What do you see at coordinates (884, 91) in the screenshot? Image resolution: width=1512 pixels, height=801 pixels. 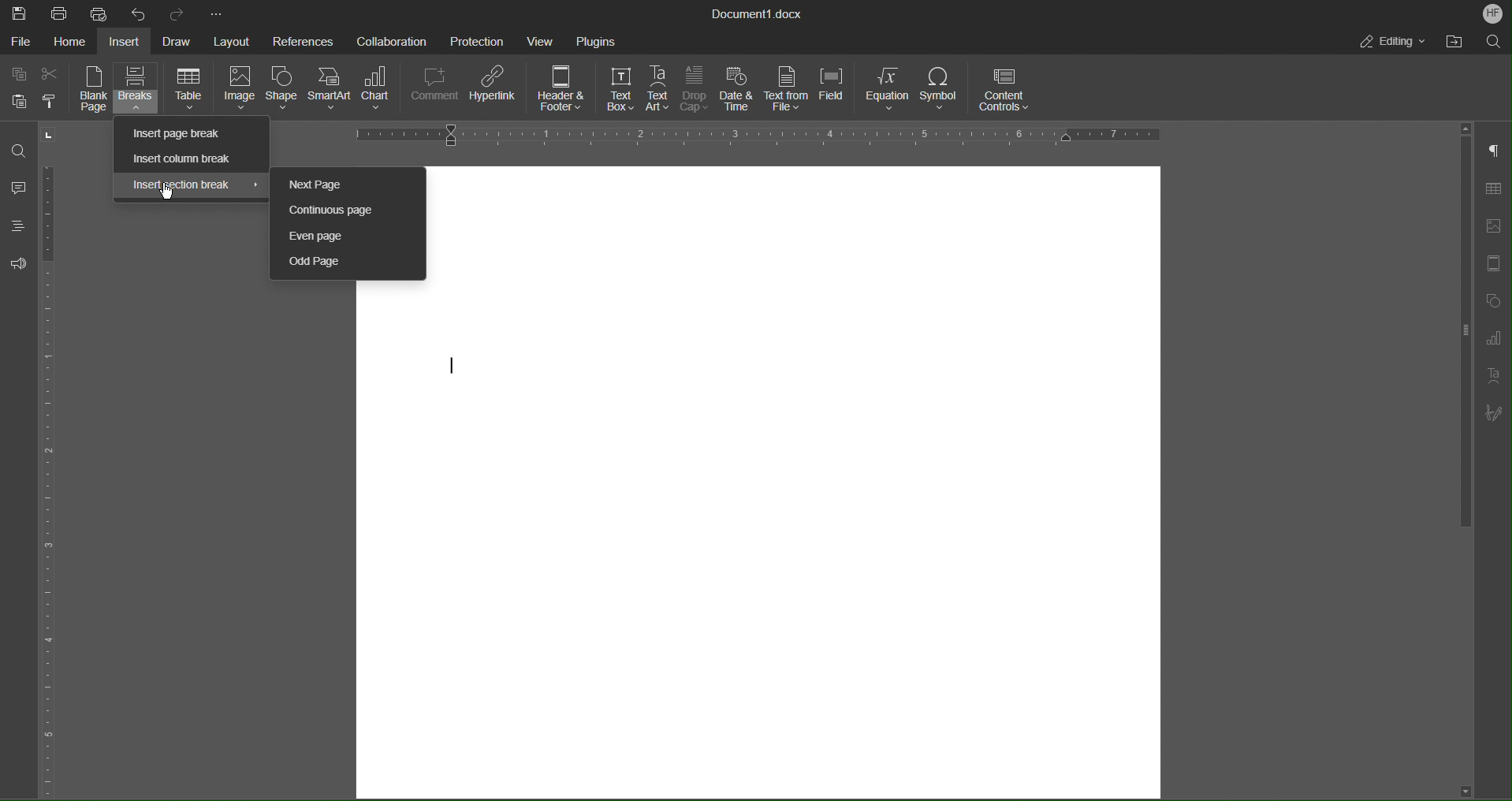 I see `Equation` at bounding box center [884, 91].